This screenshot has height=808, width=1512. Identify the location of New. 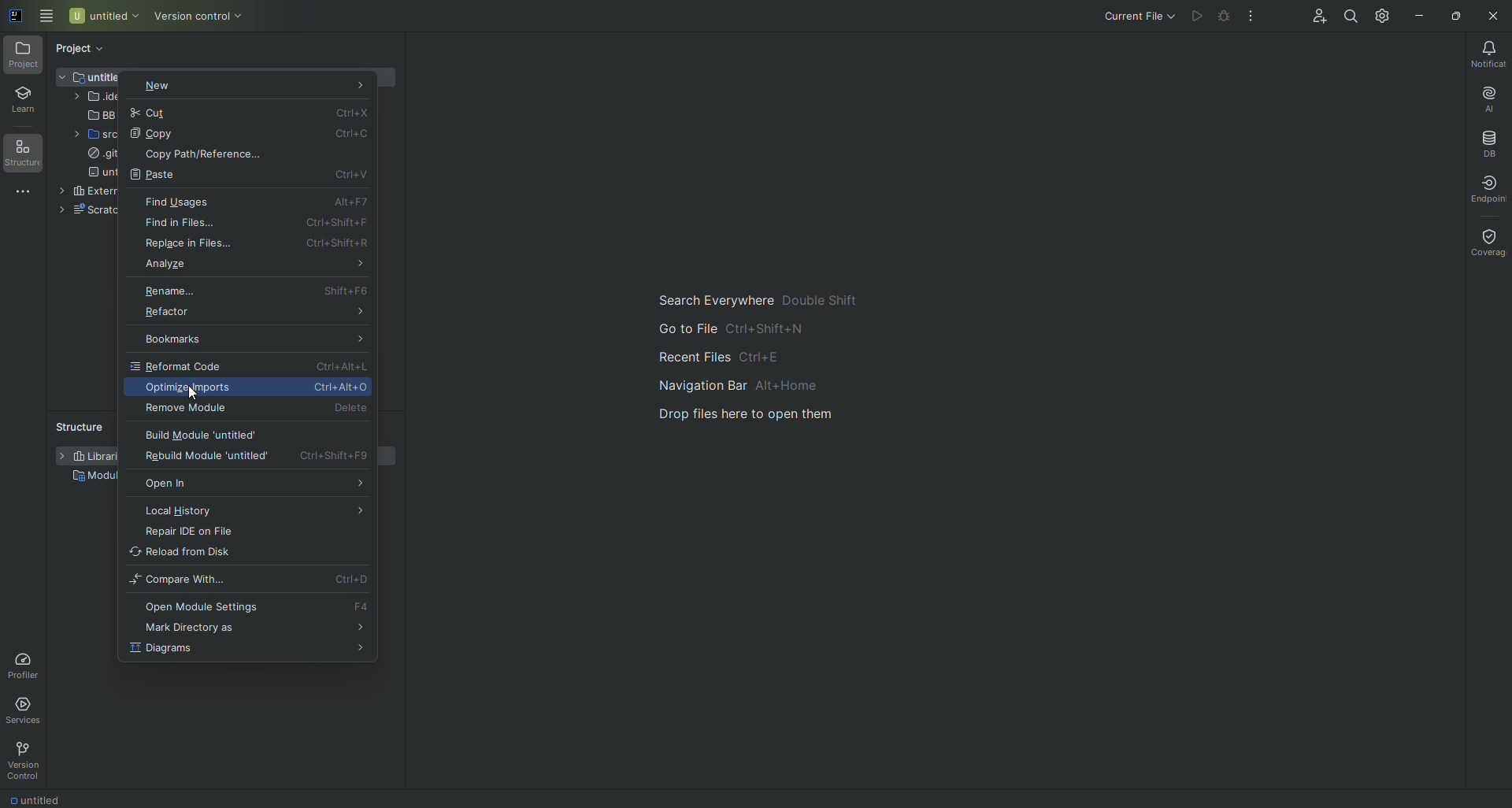
(258, 86).